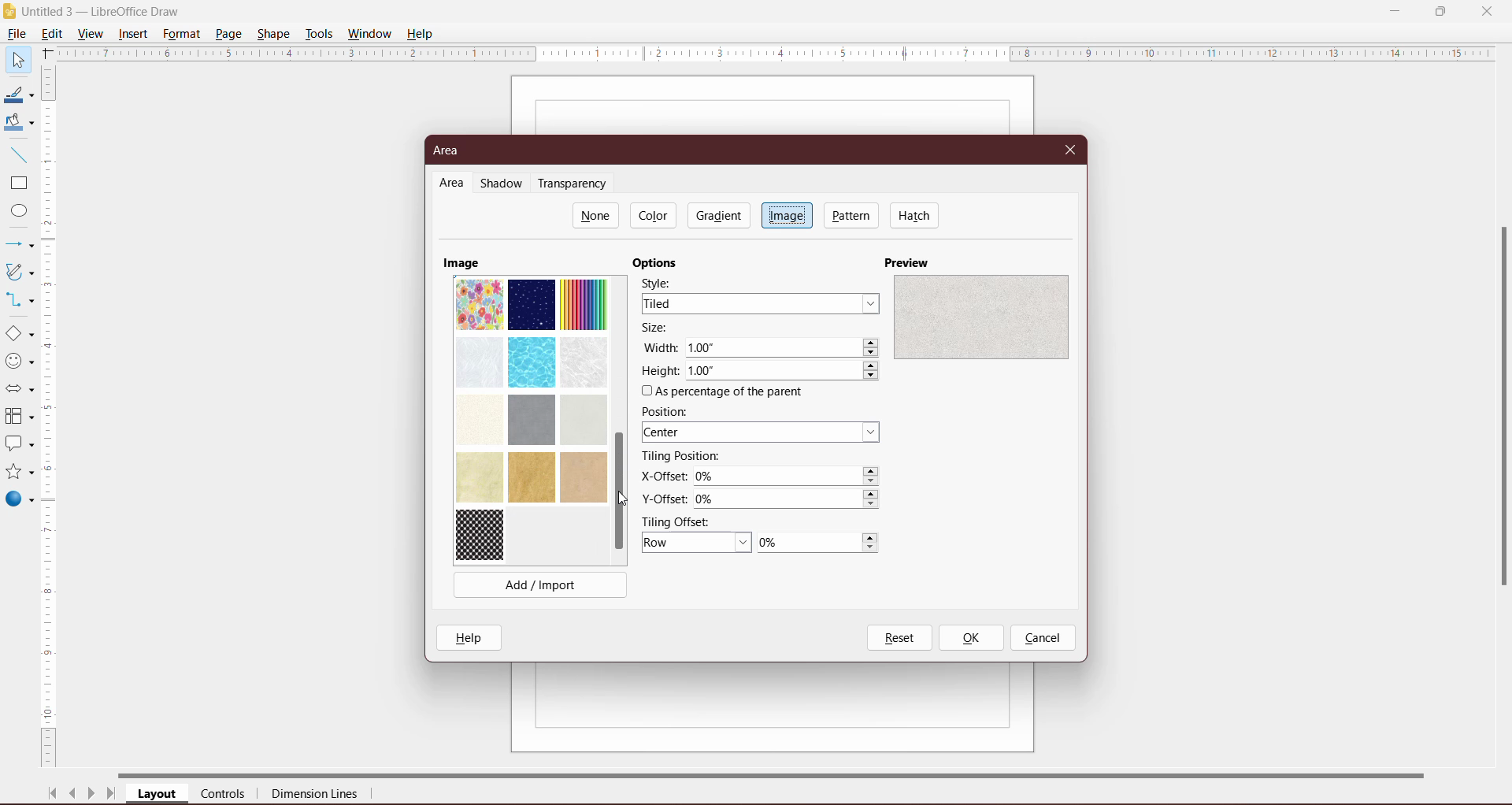 This screenshot has width=1512, height=805. Describe the element at coordinates (531, 418) in the screenshot. I see `More Texture/images available` at that location.